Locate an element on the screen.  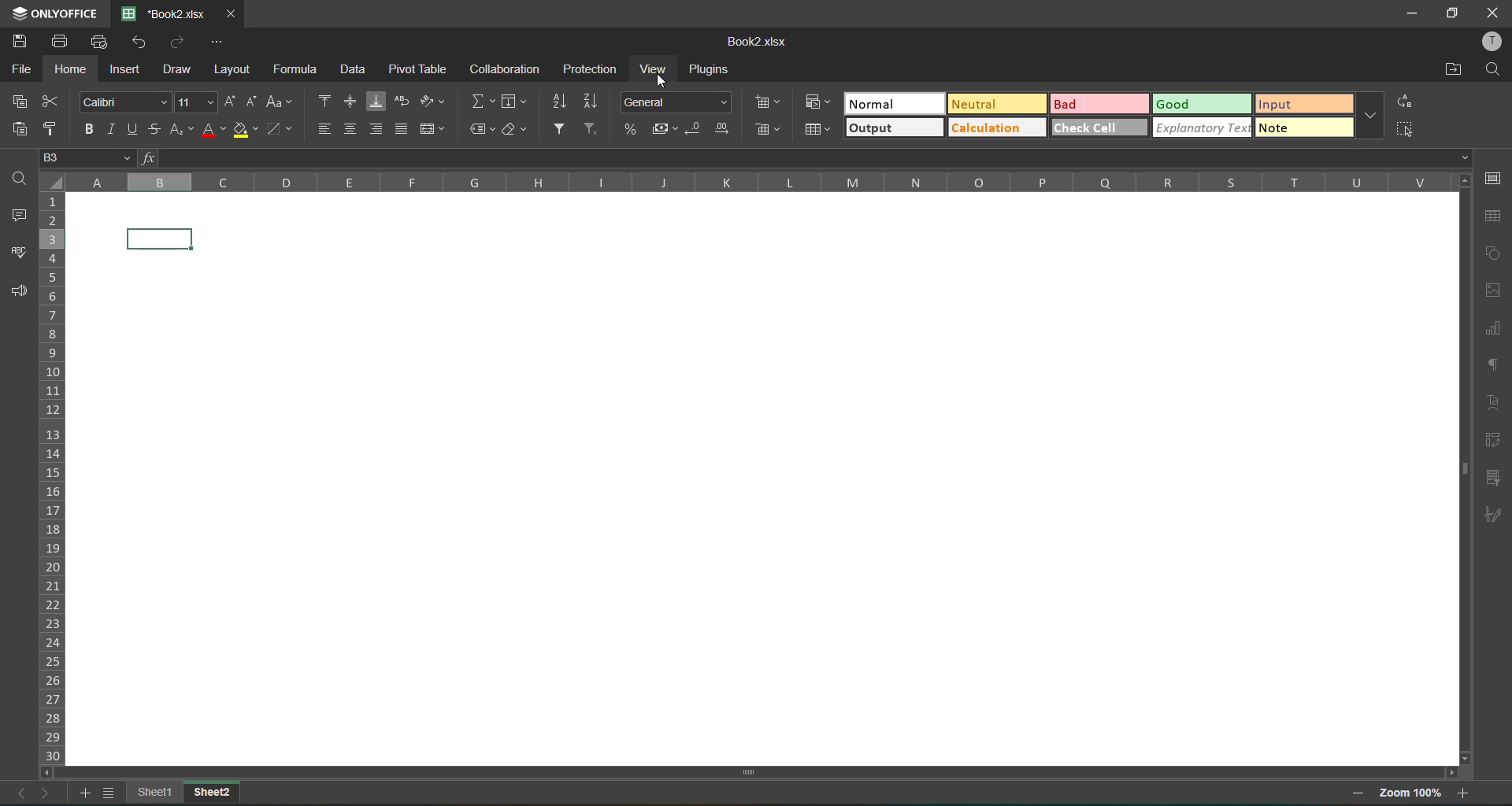
zoom factor is located at coordinates (1409, 794).